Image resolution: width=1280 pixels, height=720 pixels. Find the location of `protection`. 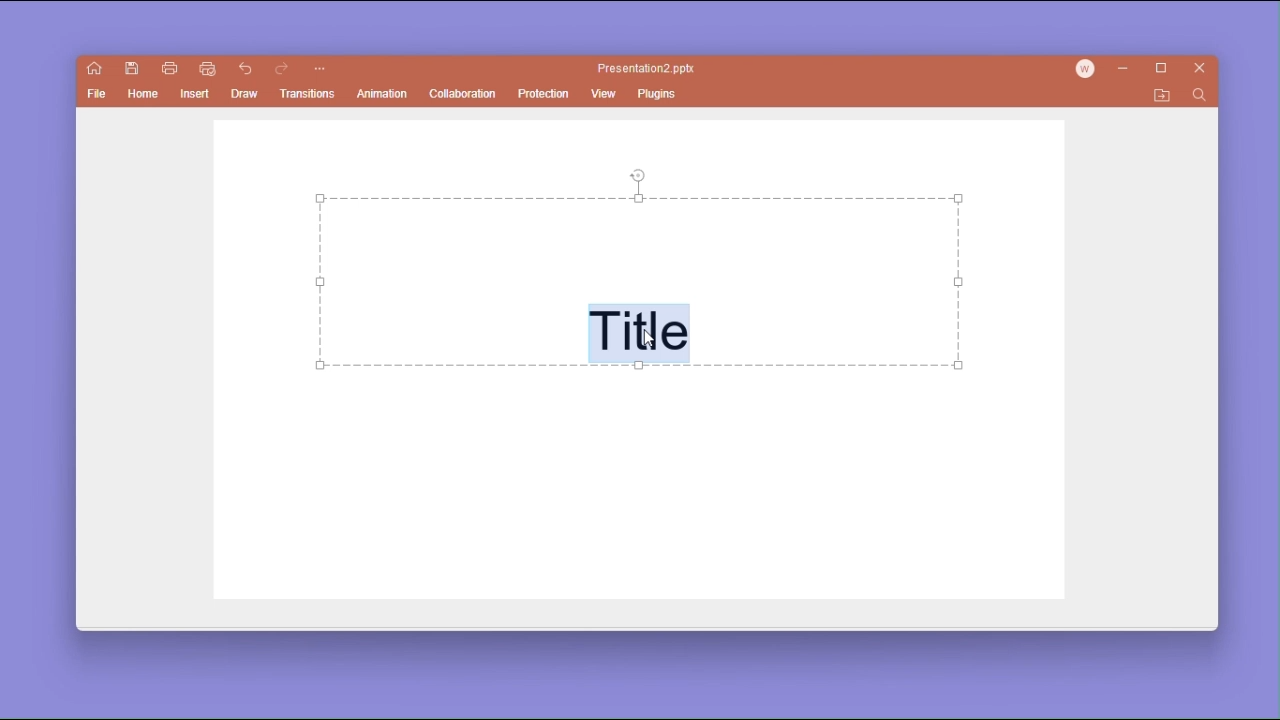

protection is located at coordinates (544, 93).